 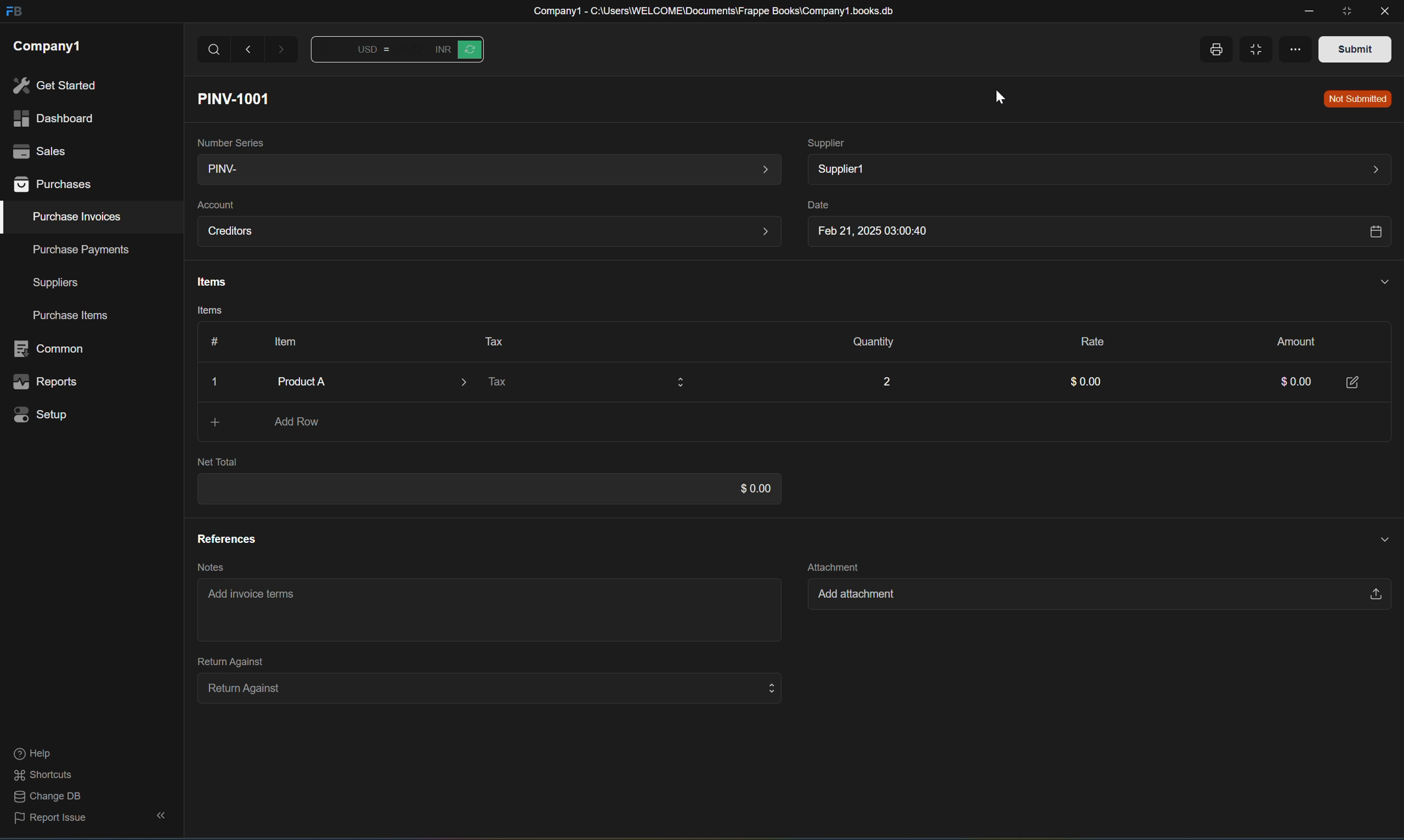 What do you see at coordinates (158, 816) in the screenshot?
I see `hide` at bounding box center [158, 816].